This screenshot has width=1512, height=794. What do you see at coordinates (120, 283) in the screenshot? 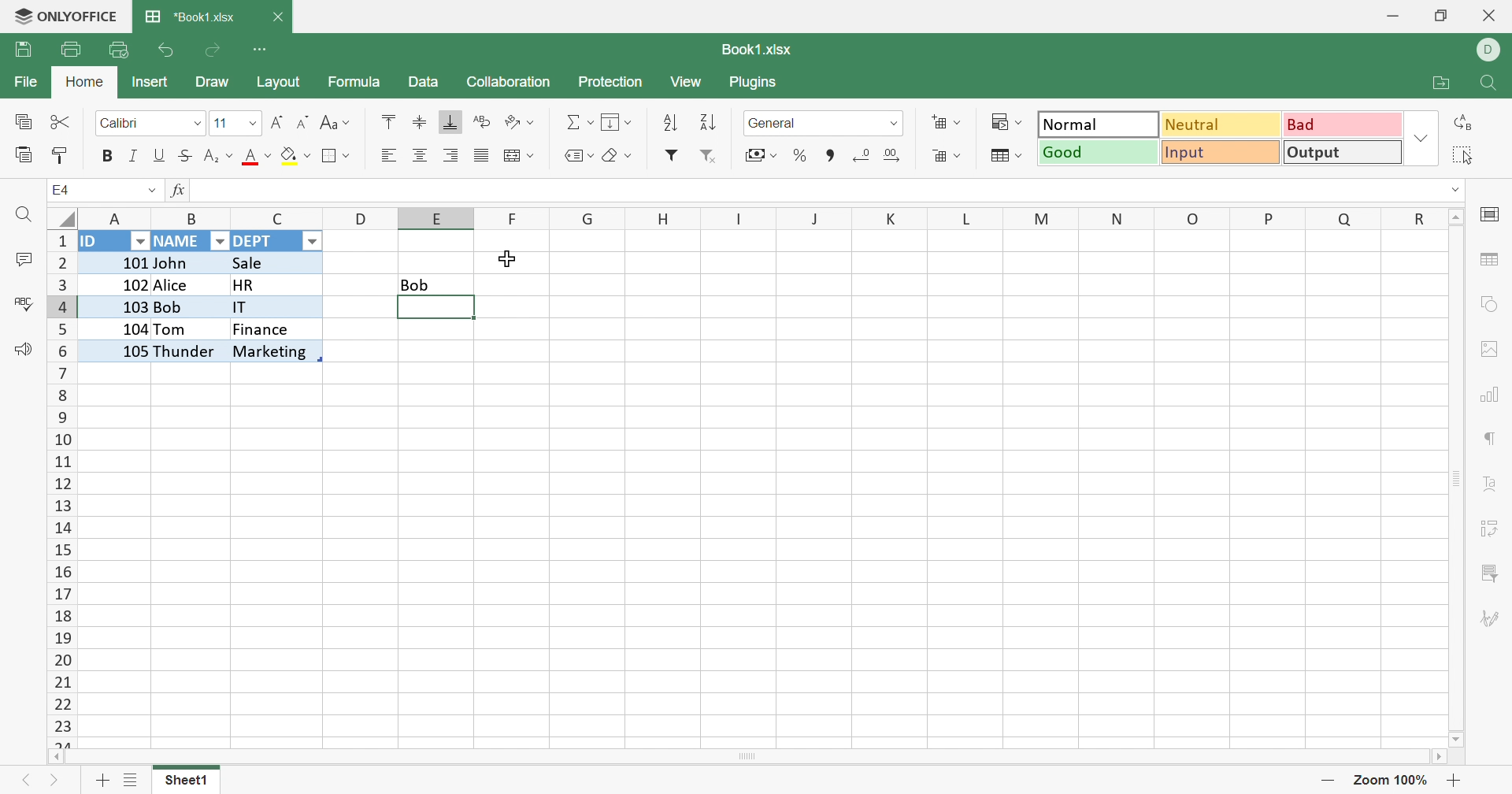
I see `102` at bounding box center [120, 283].